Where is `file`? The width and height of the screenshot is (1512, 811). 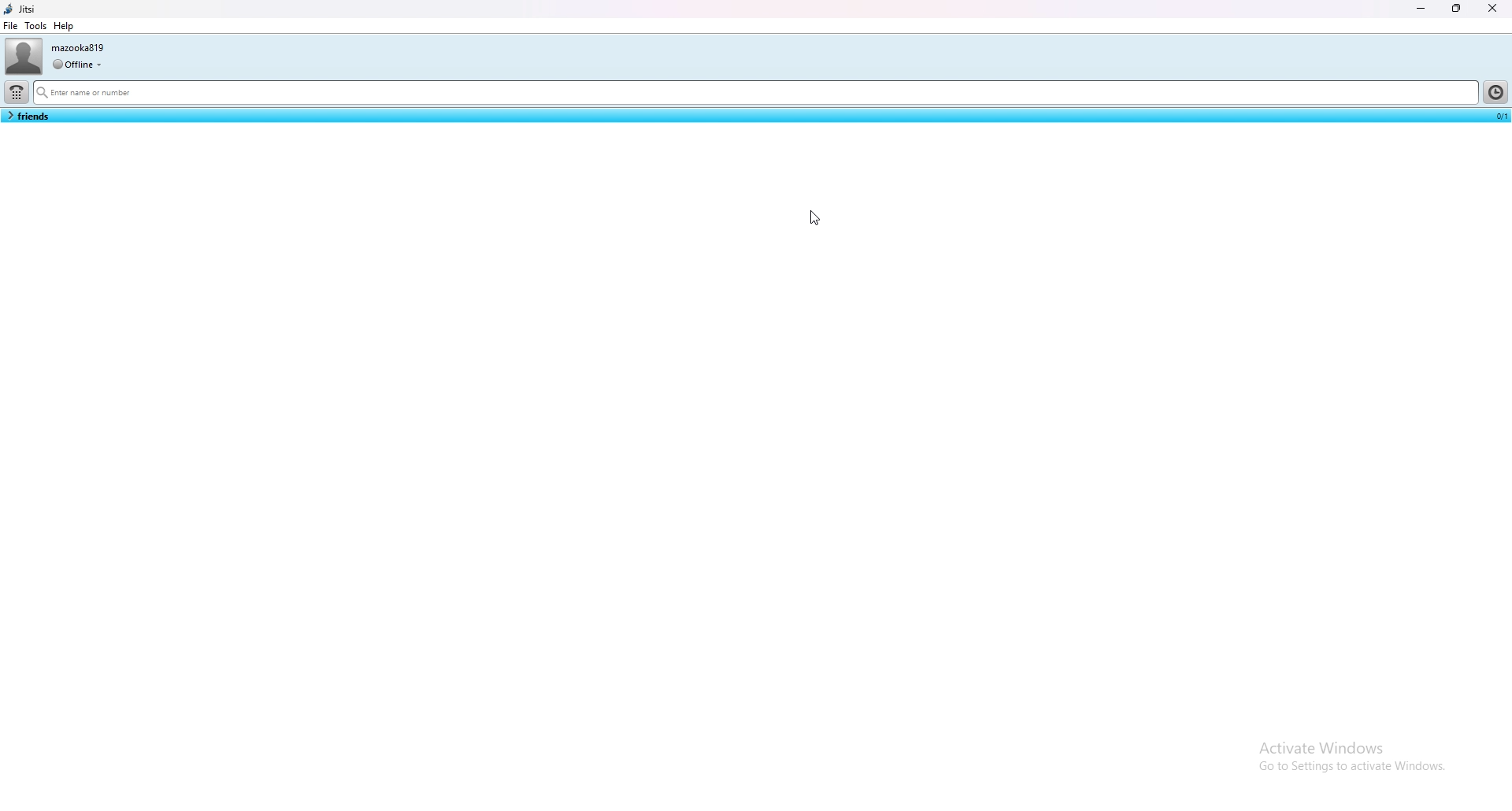 file is located at coordinates (11, 25).